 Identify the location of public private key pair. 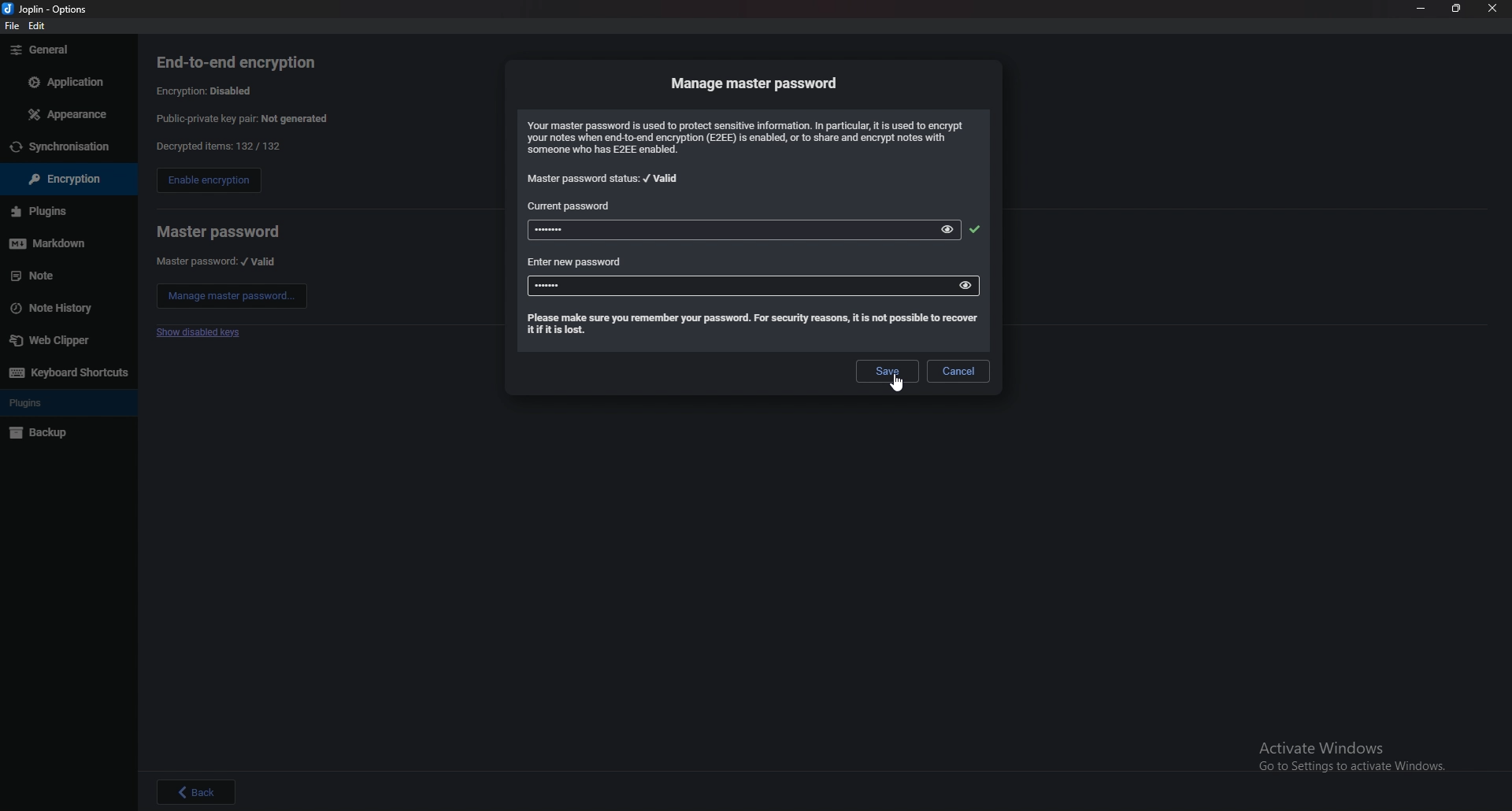
(254, 118).